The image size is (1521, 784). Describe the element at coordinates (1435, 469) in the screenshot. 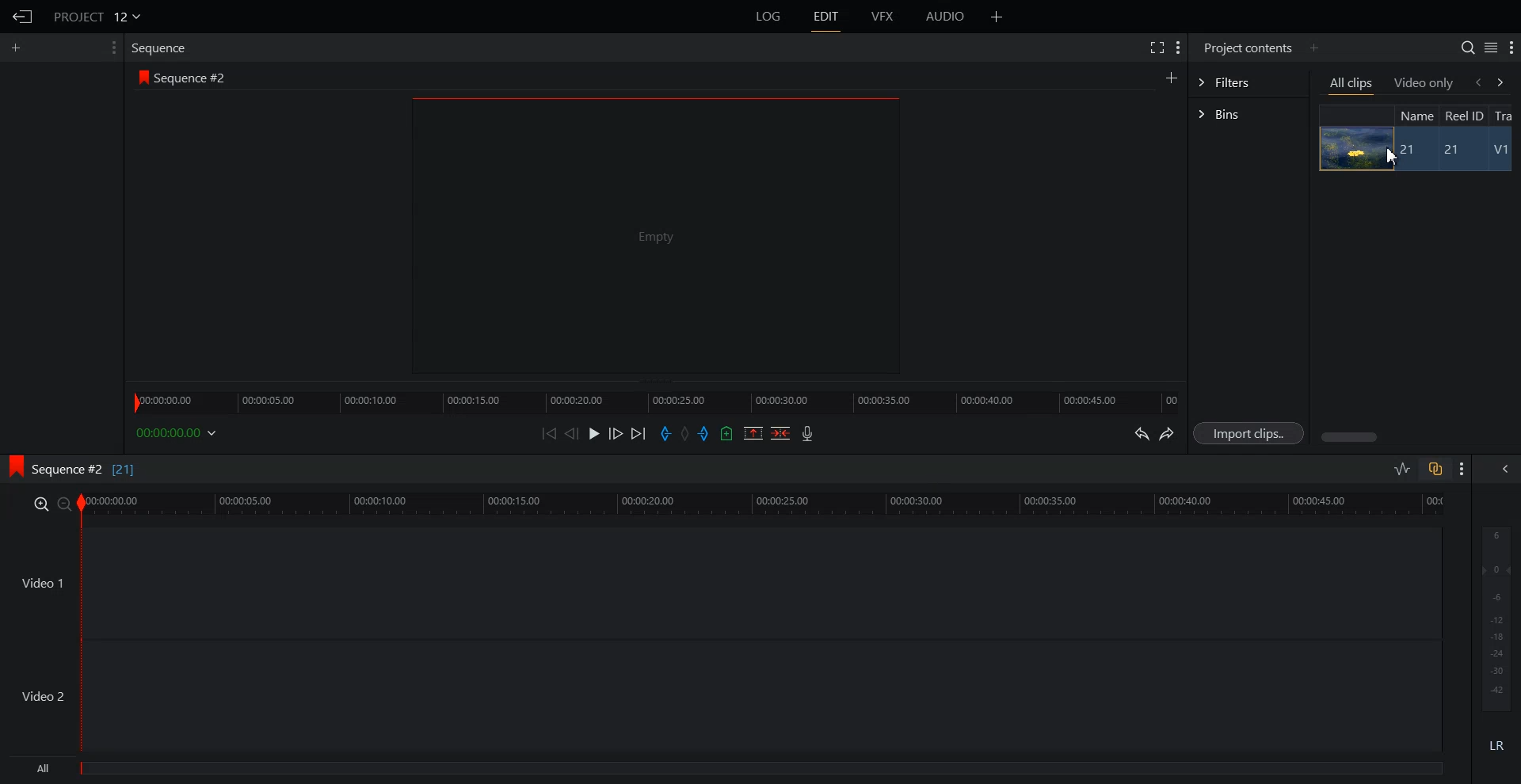

I see `Toggle auto Track sync` at that location.